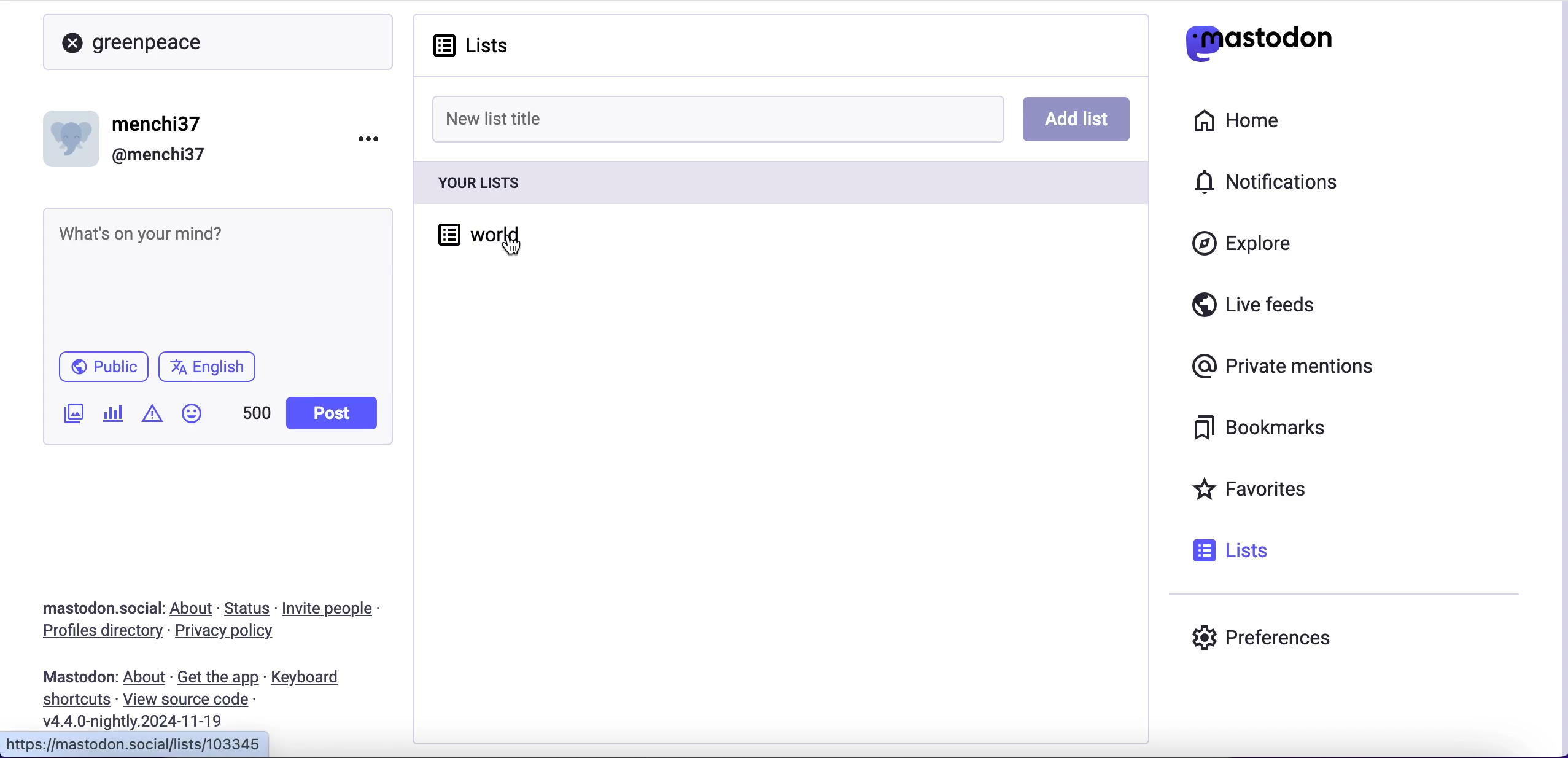  I want to click on add, so click(1075, 119).